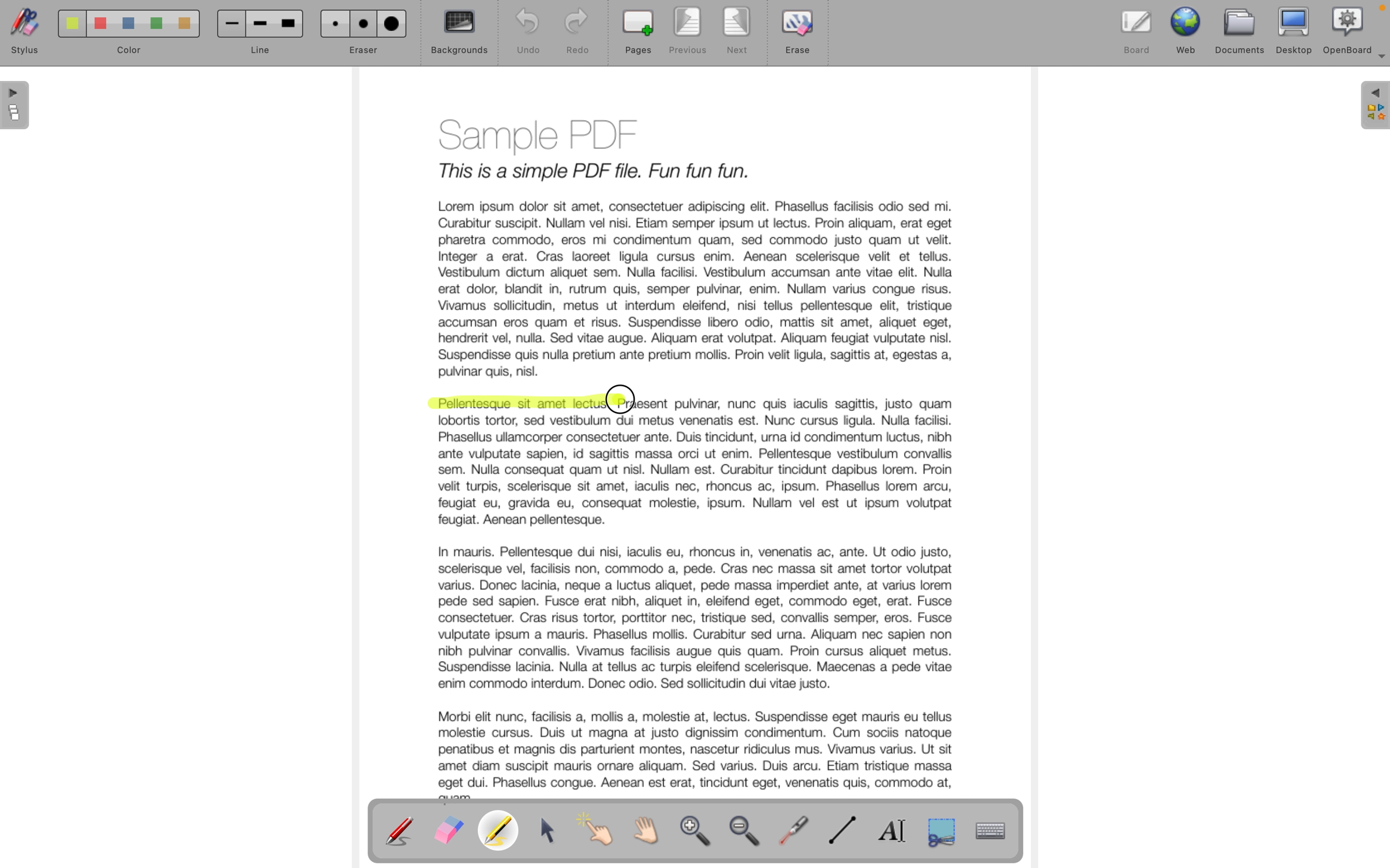  I want to click on virtual laser pointer, so click(796, 829).